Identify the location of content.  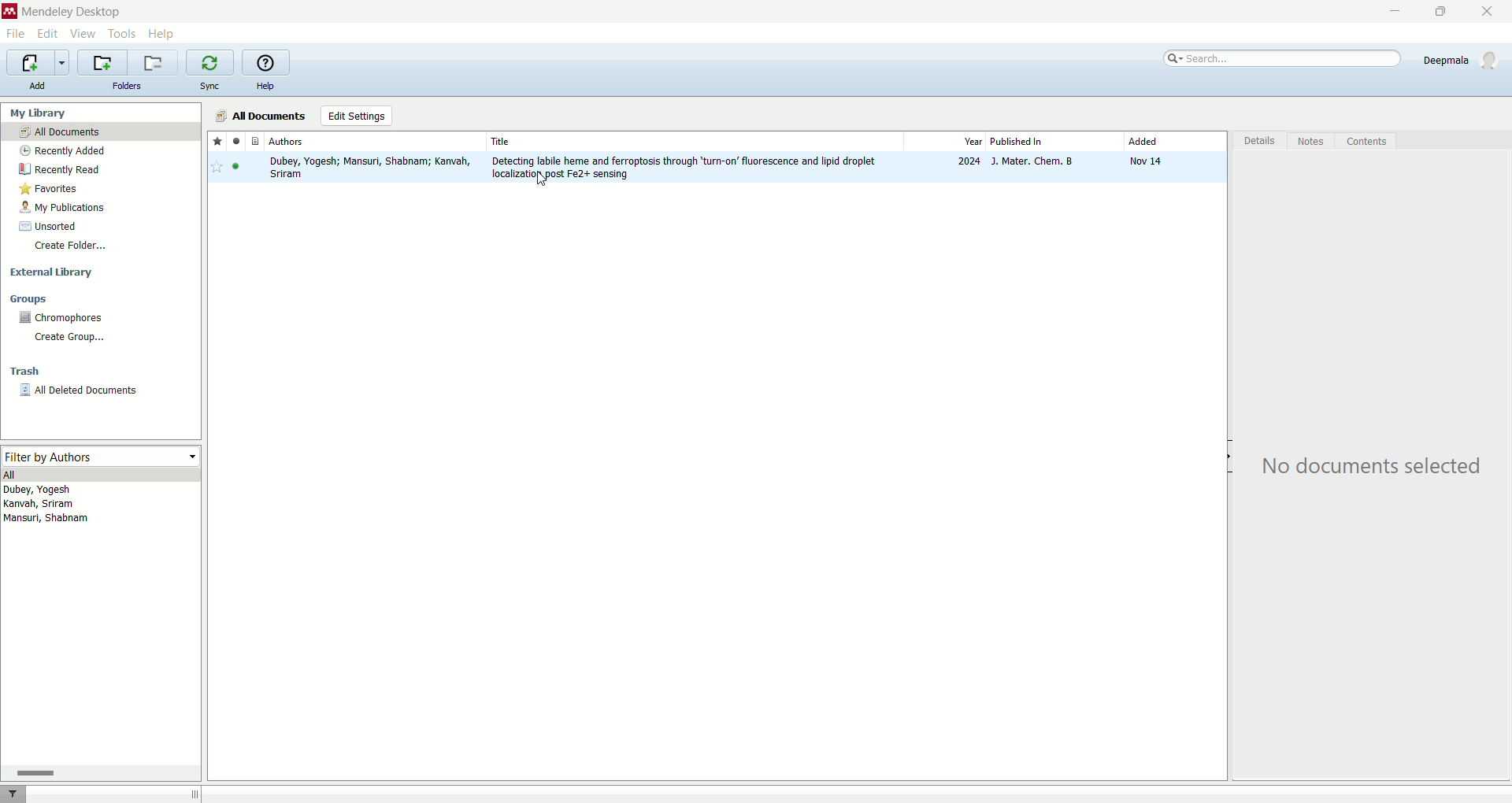
(1367, 143).